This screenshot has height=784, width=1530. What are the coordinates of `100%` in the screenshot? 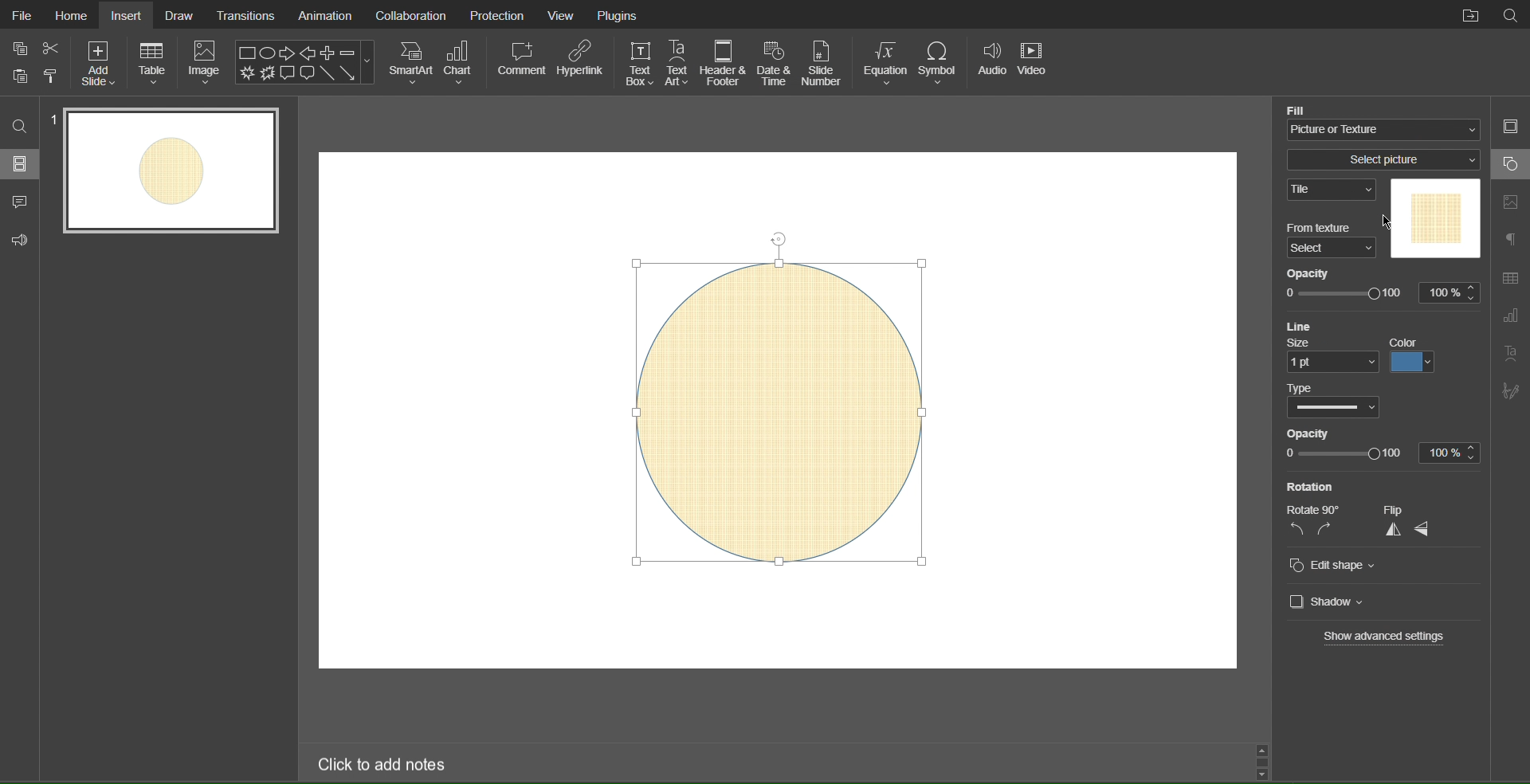 It's located at (1451, 292).